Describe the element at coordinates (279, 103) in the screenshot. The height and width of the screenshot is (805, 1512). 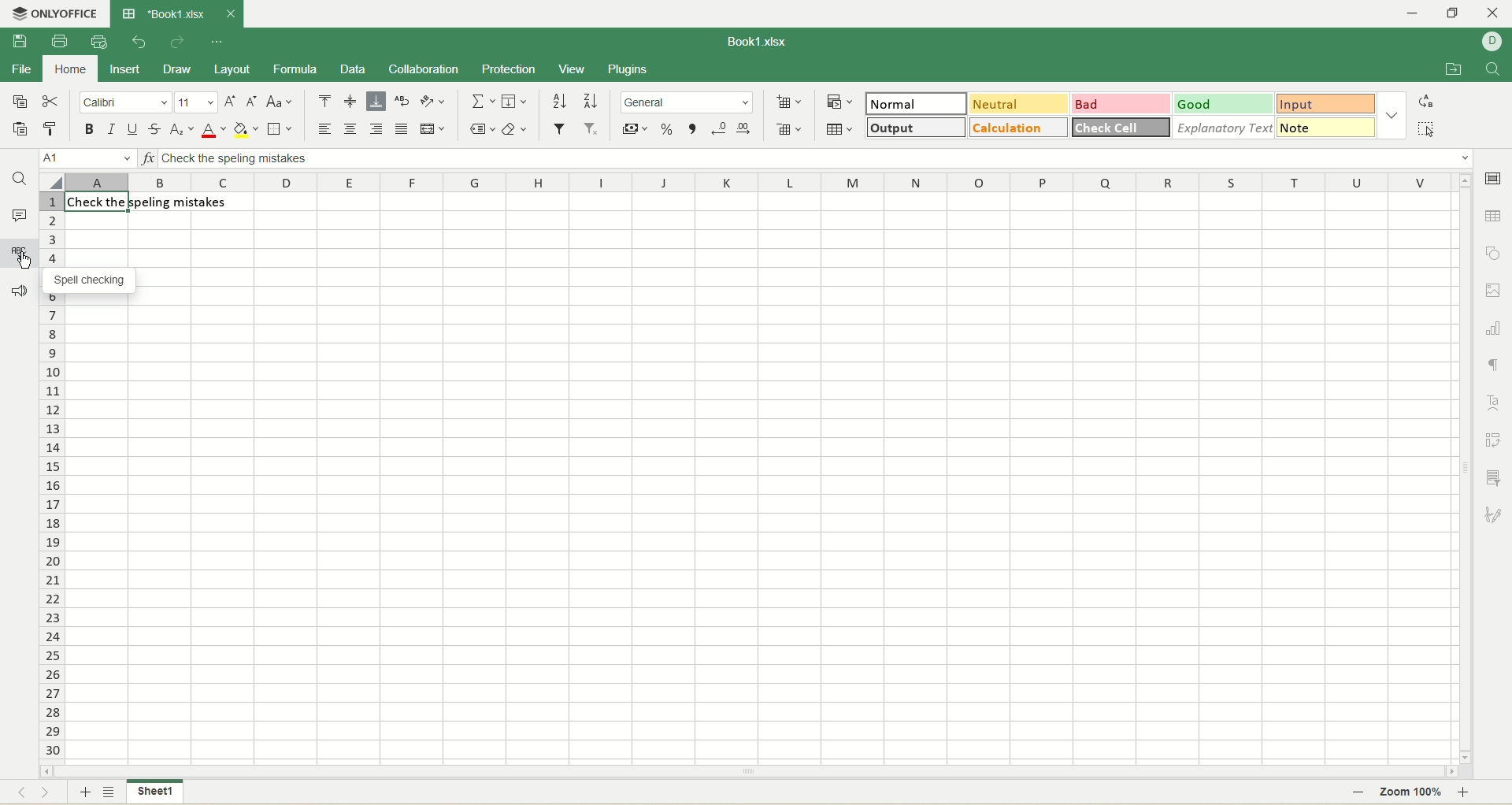
I see `change case` at that location.